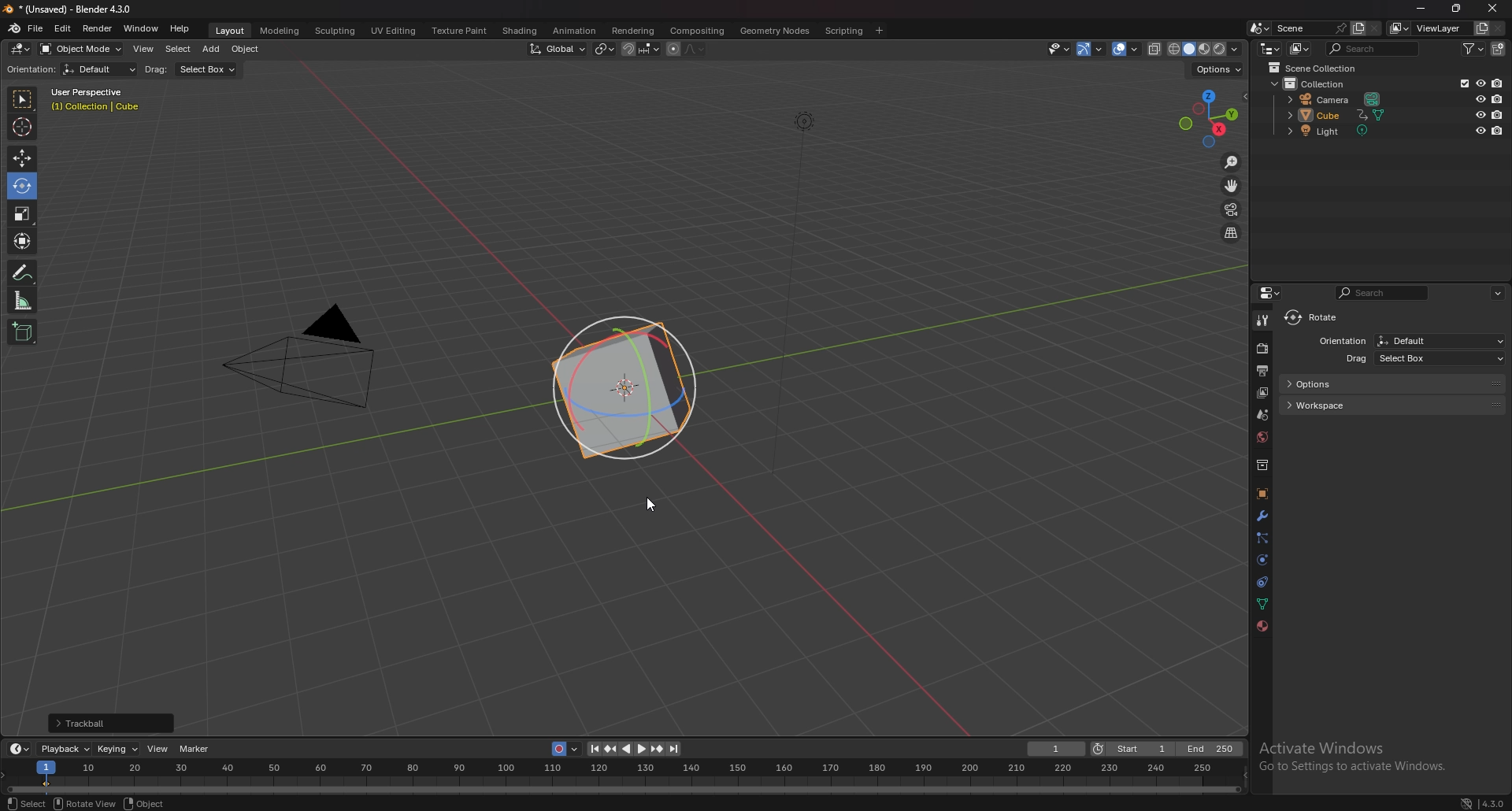 This screenshot has height=811, width=1512. I want to click on object, so click(1262, 494).